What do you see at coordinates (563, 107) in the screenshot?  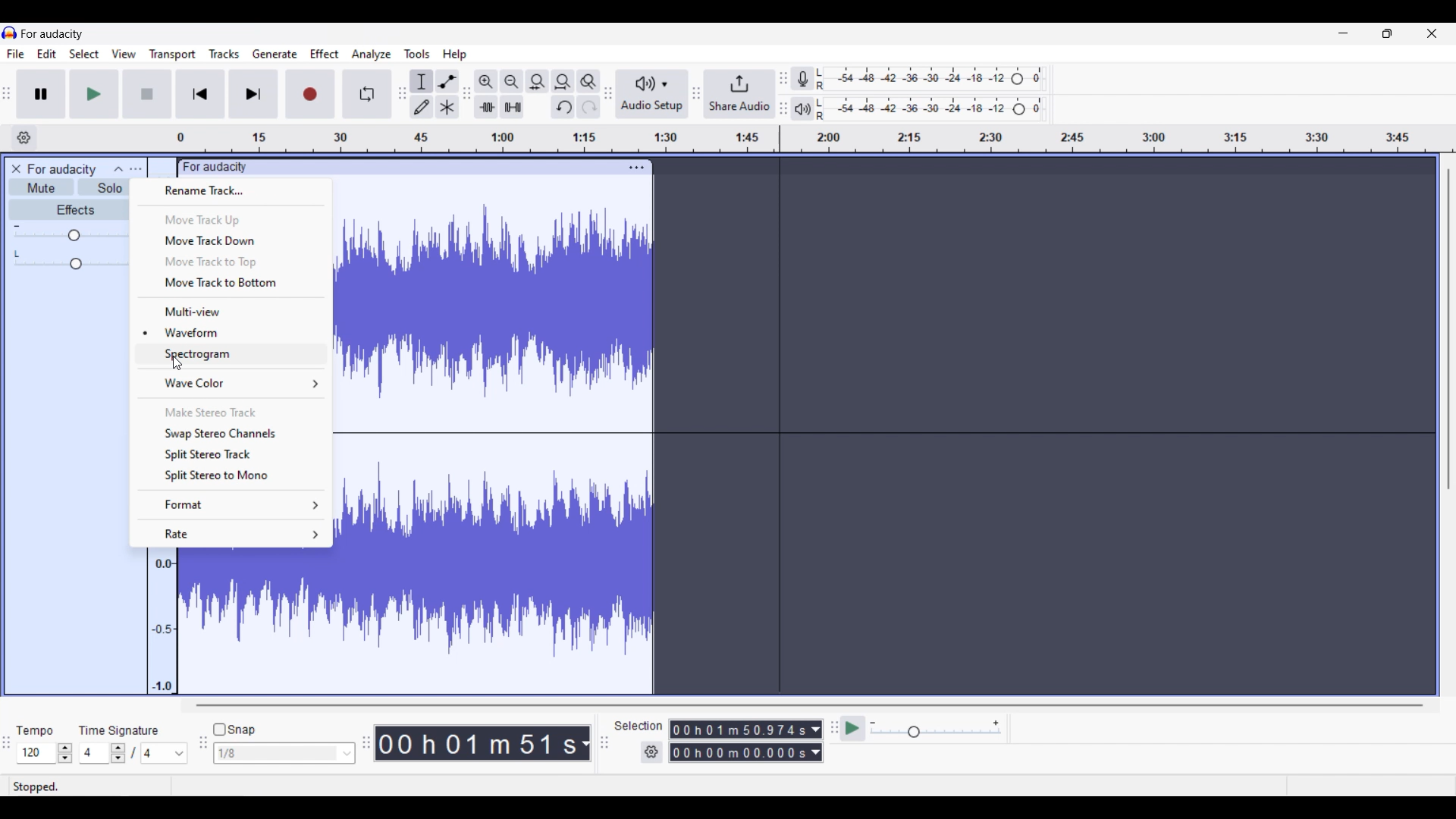 I see `Undo` at bounding box center [563, 107].